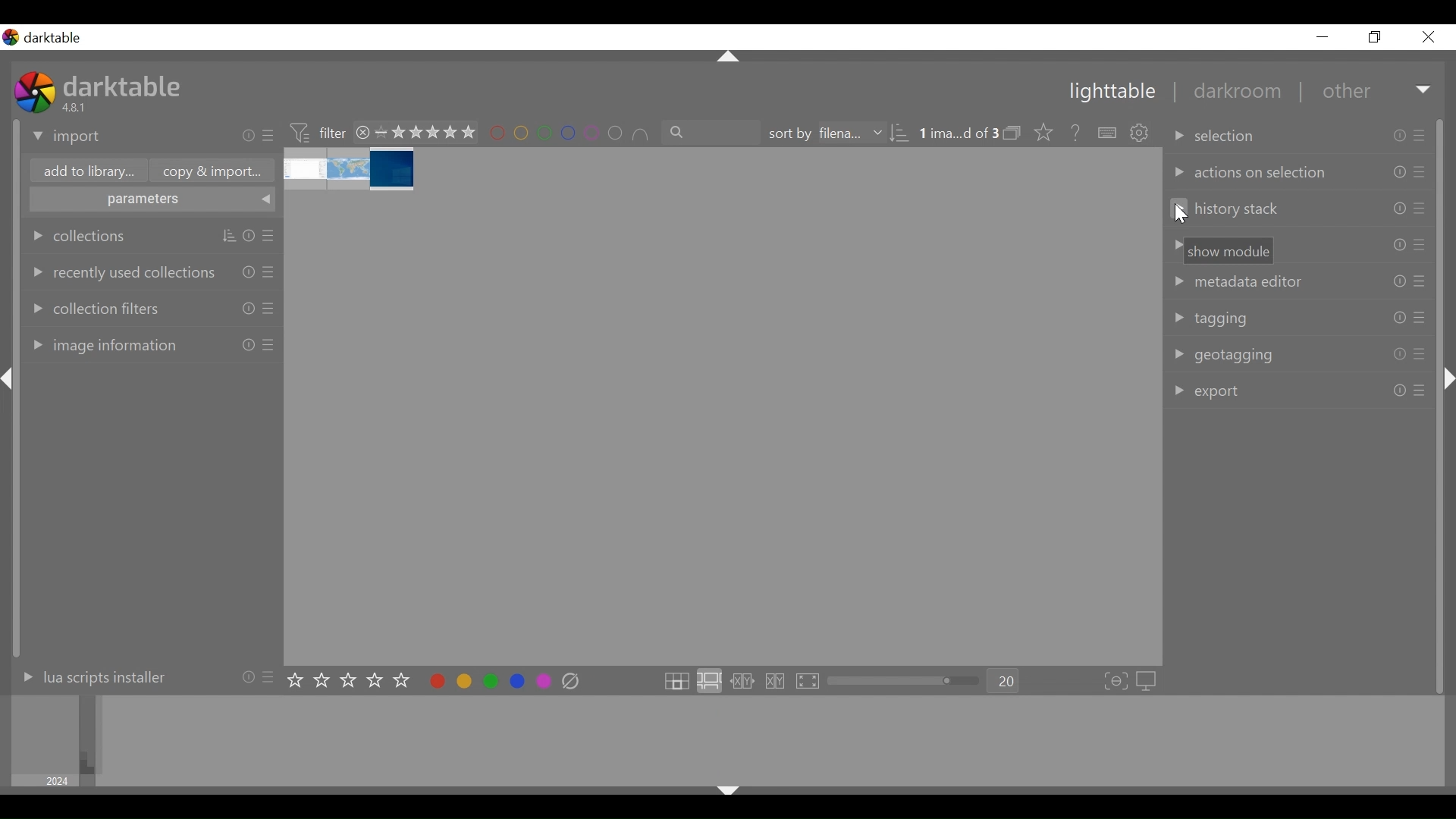  Describe the element at coordinates (1235, 281) in the screenshot. I see `metadata editor` at that location.